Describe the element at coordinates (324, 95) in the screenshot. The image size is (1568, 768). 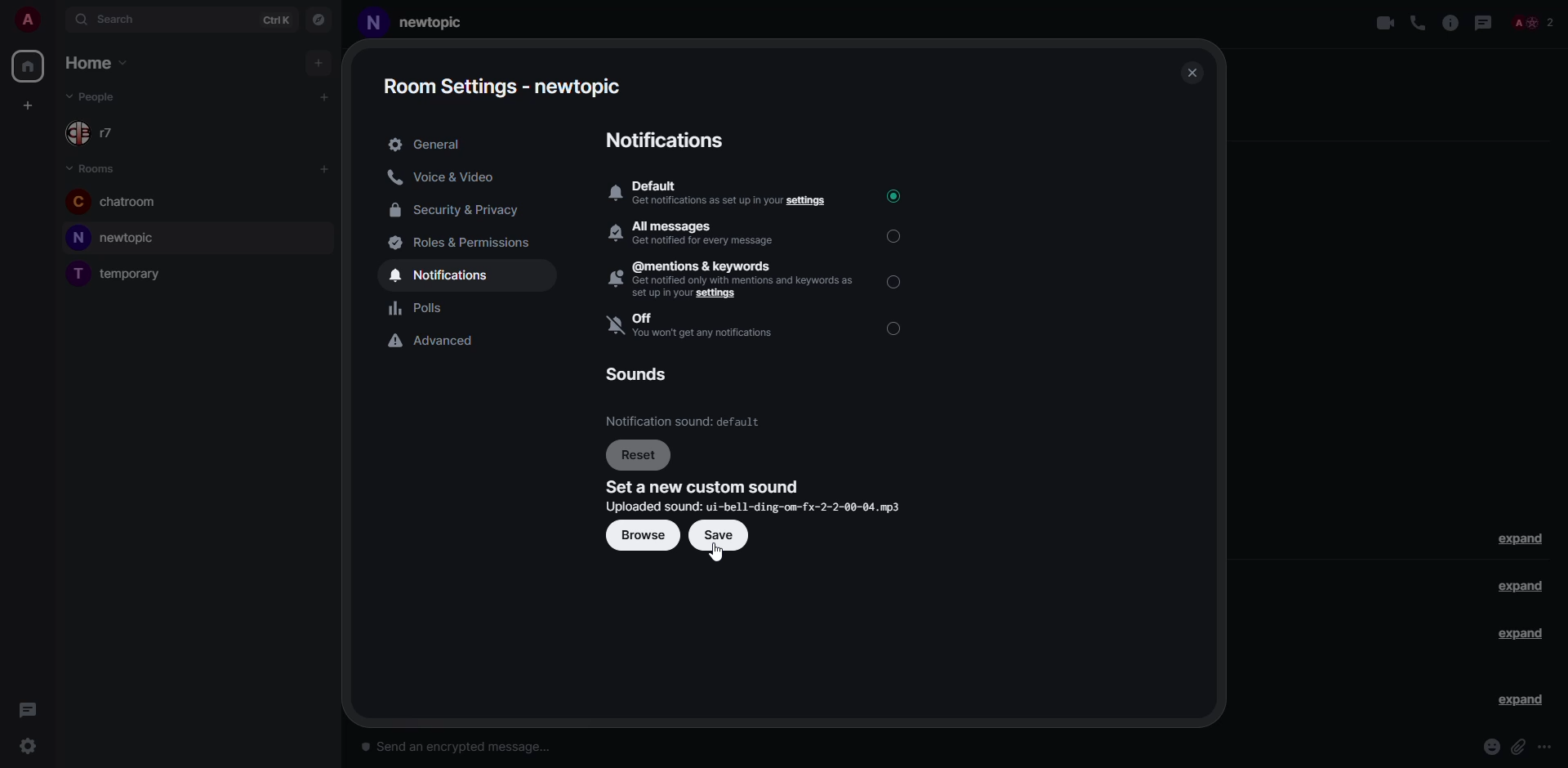
I see `add` at that location.